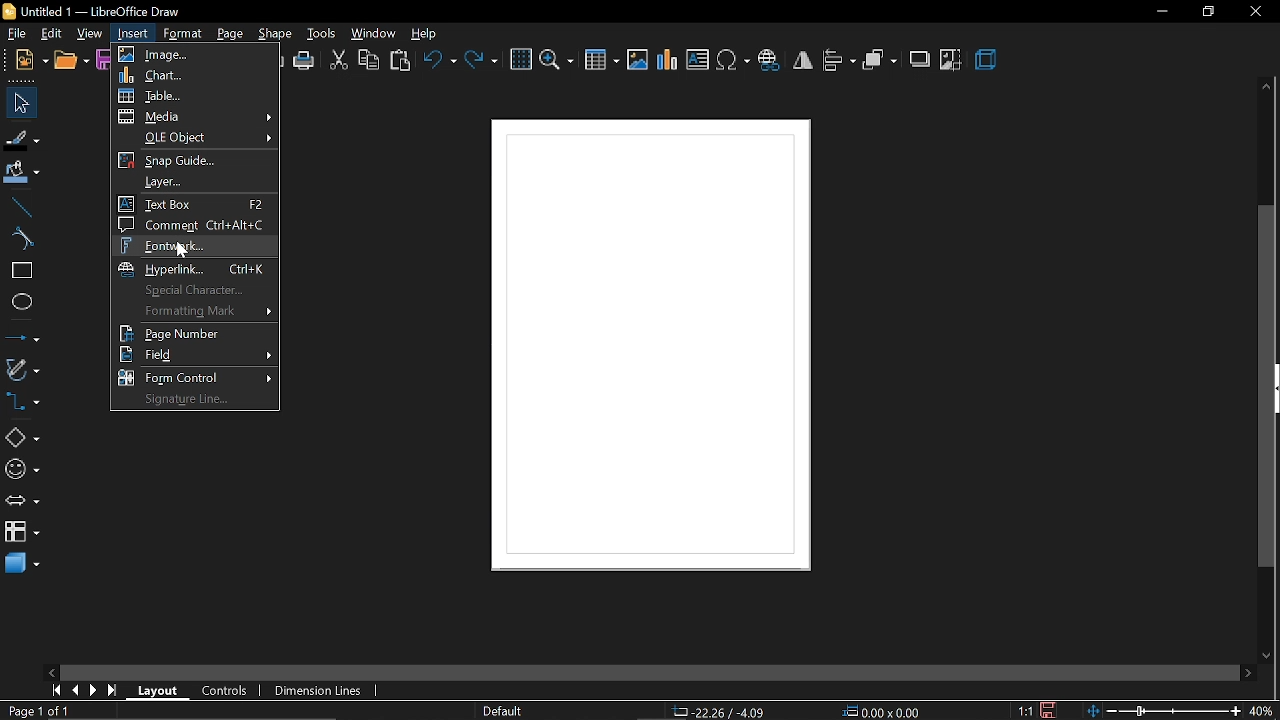  What do you see at coordinates (20, 437) in the screenshot?
I see `basic shapes` at bounding box center [20, 437].